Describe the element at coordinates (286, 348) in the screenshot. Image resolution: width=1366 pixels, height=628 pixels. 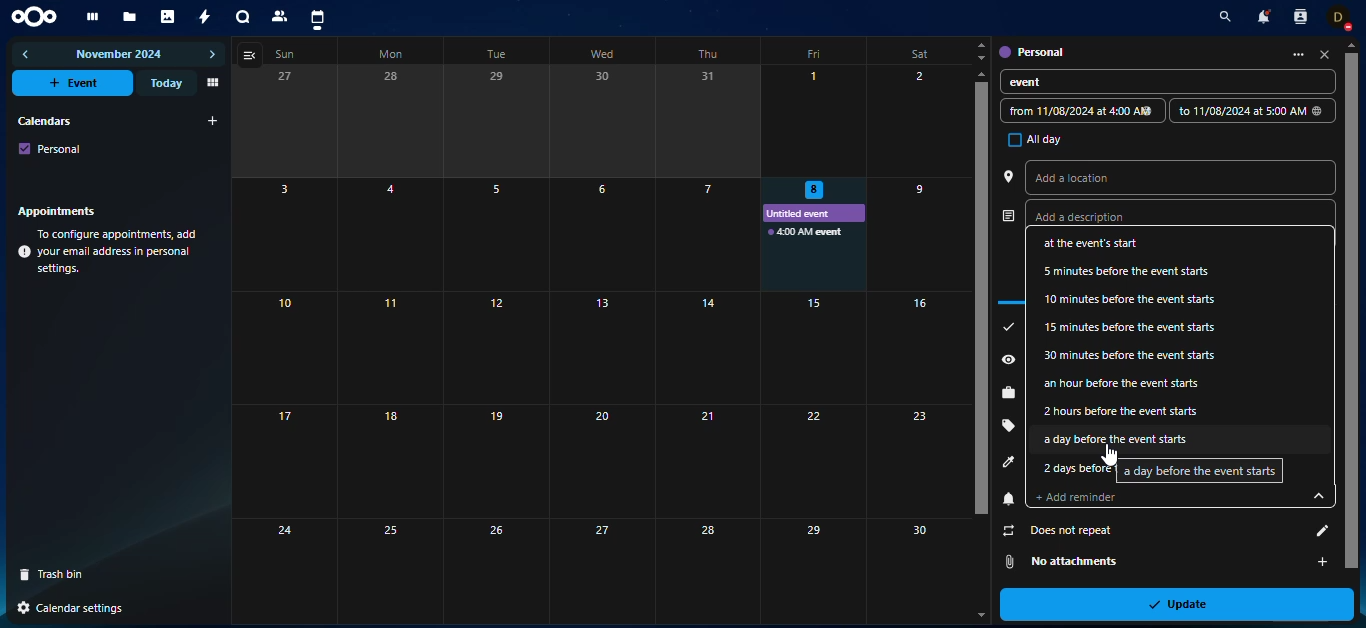
I see `10` at that location.